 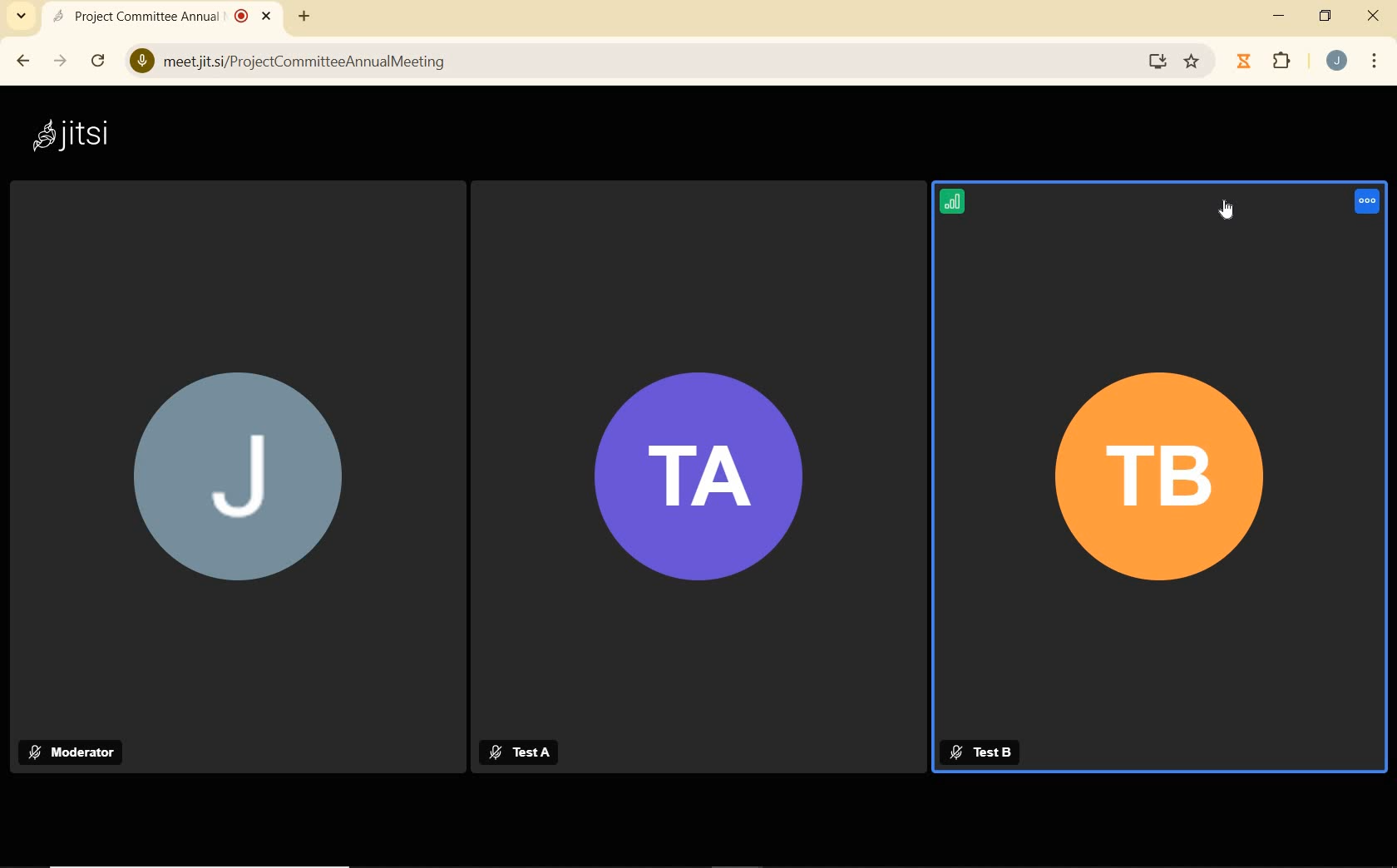 I want to click on ADD NEW TAB, so click(x=304, y=14).